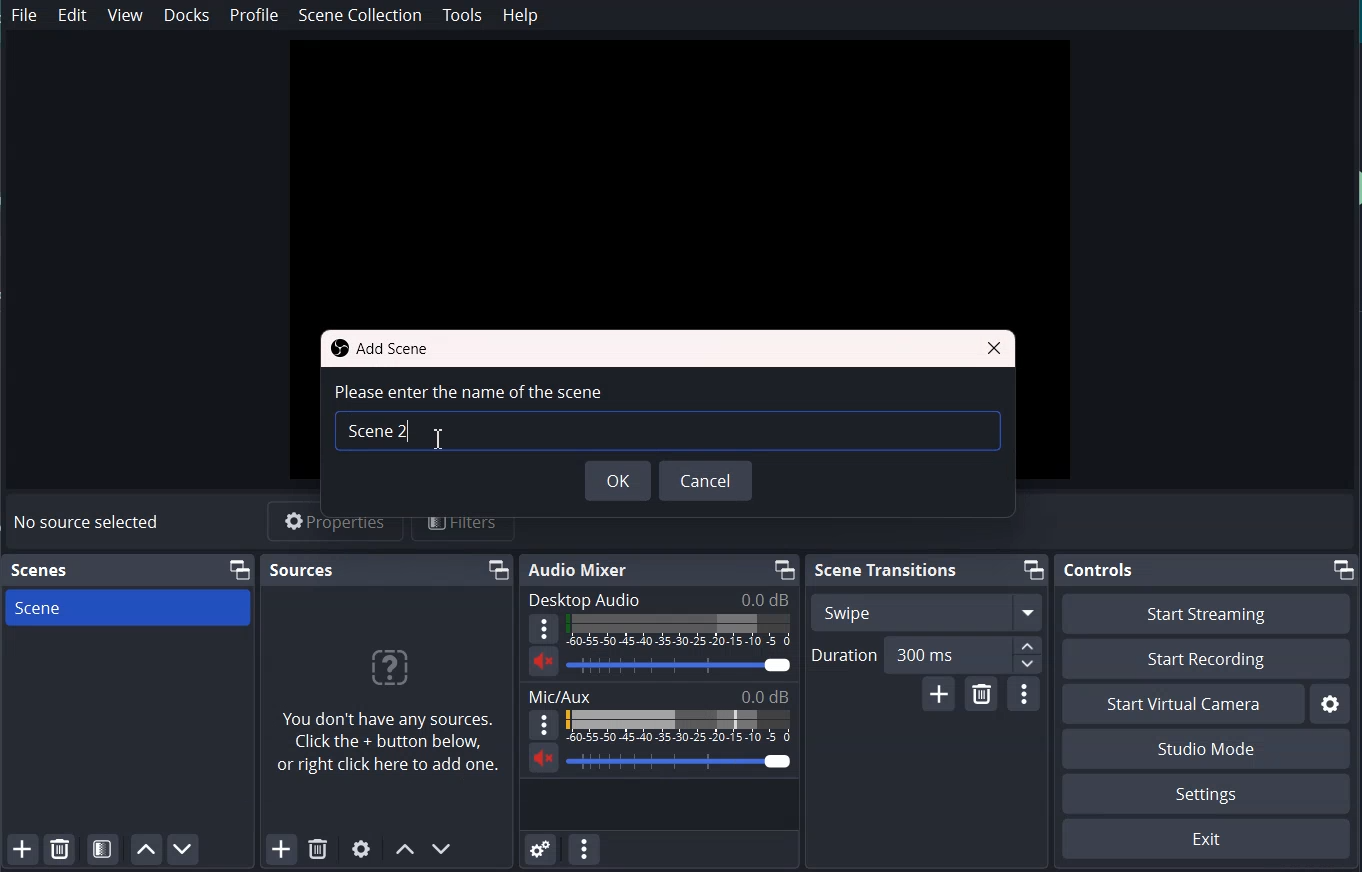 Image resolution: width=1362 pixels, height=872 pixels. I want to click on Scene Transition, so click(887, 571).